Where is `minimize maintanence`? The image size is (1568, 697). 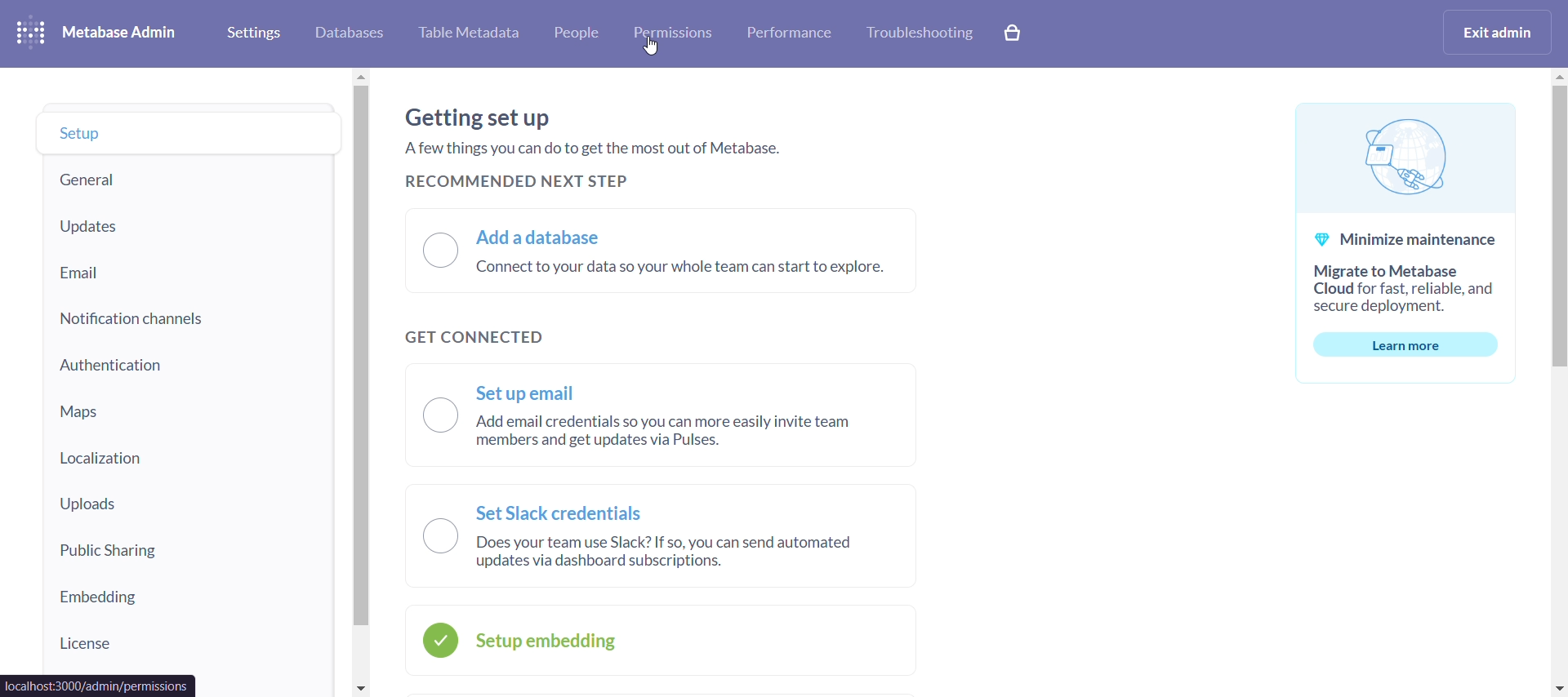 minimize maintanence is located at coordinates (1404, 245).